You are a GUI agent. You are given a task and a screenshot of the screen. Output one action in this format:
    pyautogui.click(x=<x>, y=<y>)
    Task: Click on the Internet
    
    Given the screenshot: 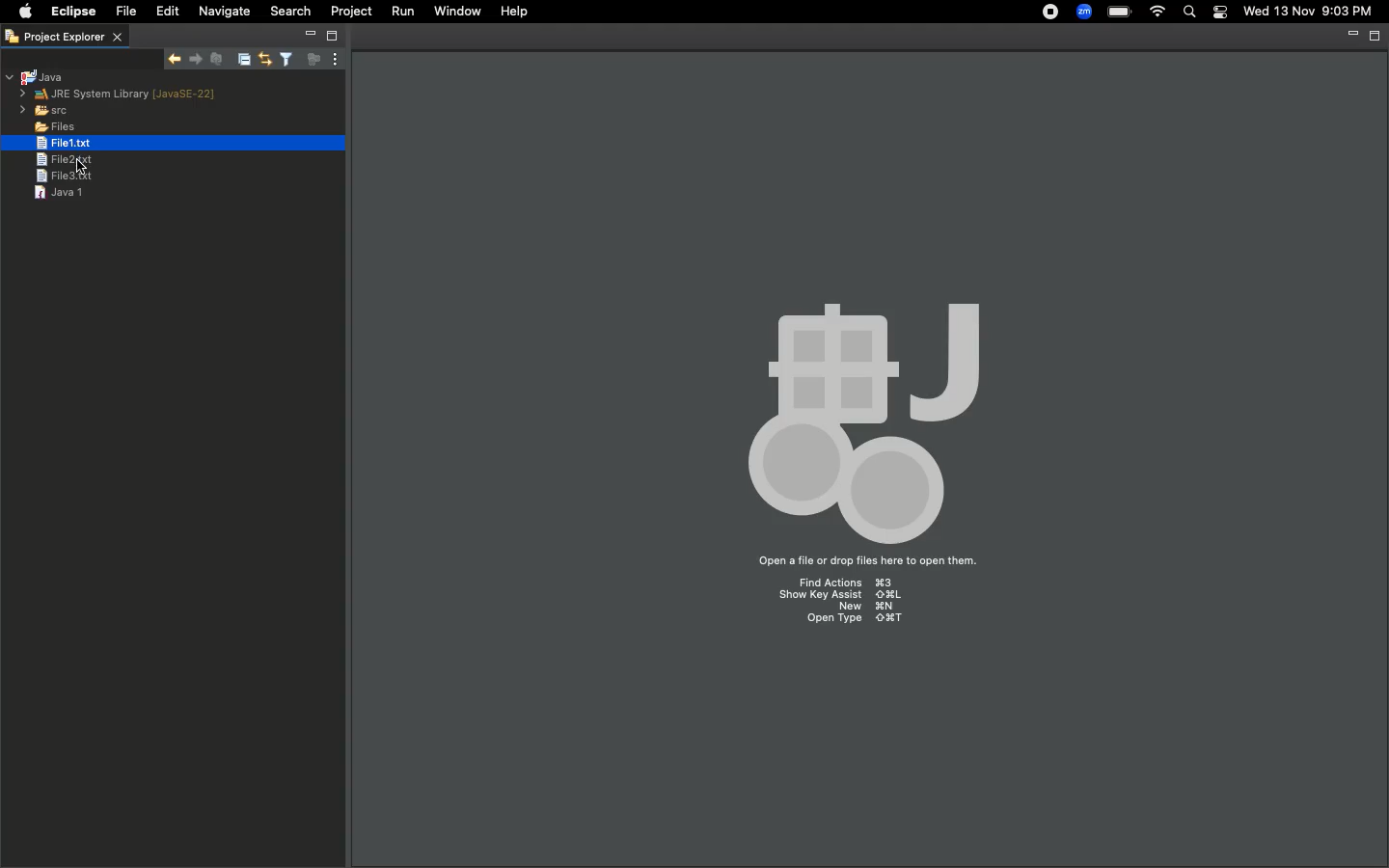 What is the action you would take?
    pyautogui.click(x=1158, y=12)
    